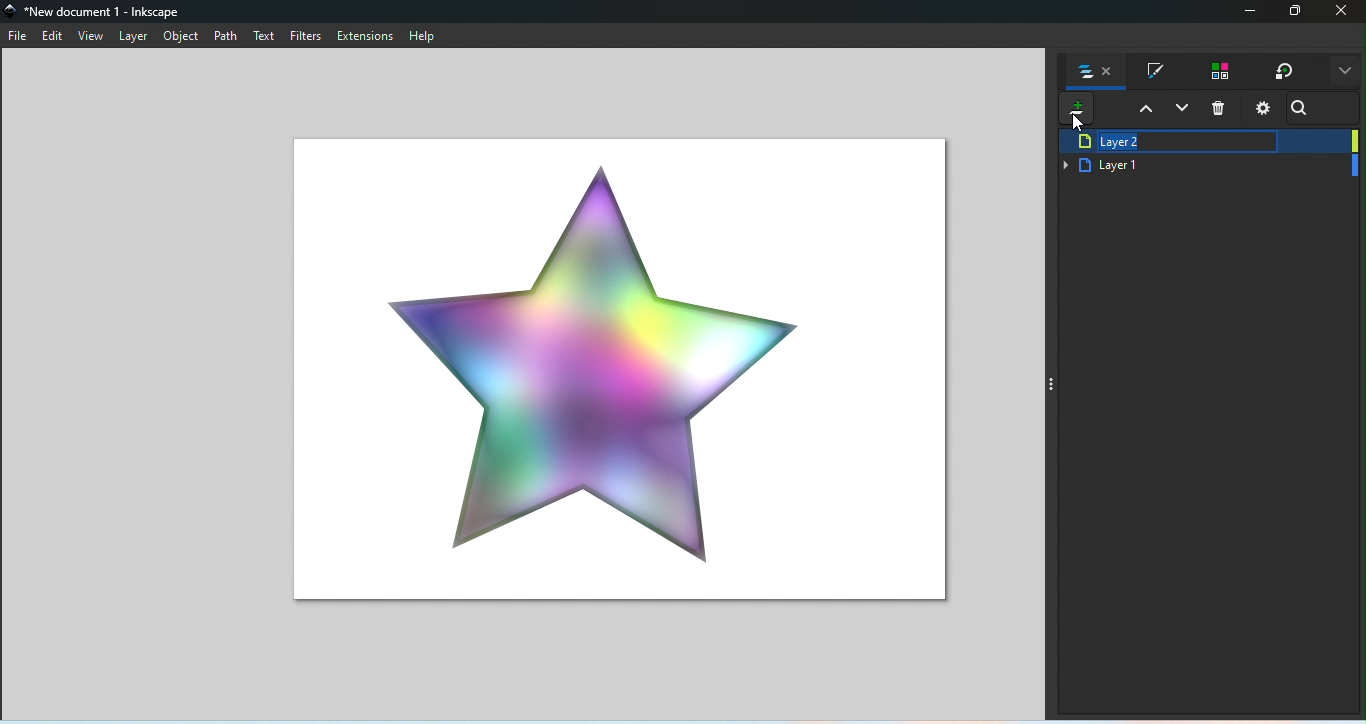 The height and width of the screenshot is (724, 1366). What do you see at coordinates (612, 365) in the screenshot?
I see `Canvas` at bounding box center [612, 365].